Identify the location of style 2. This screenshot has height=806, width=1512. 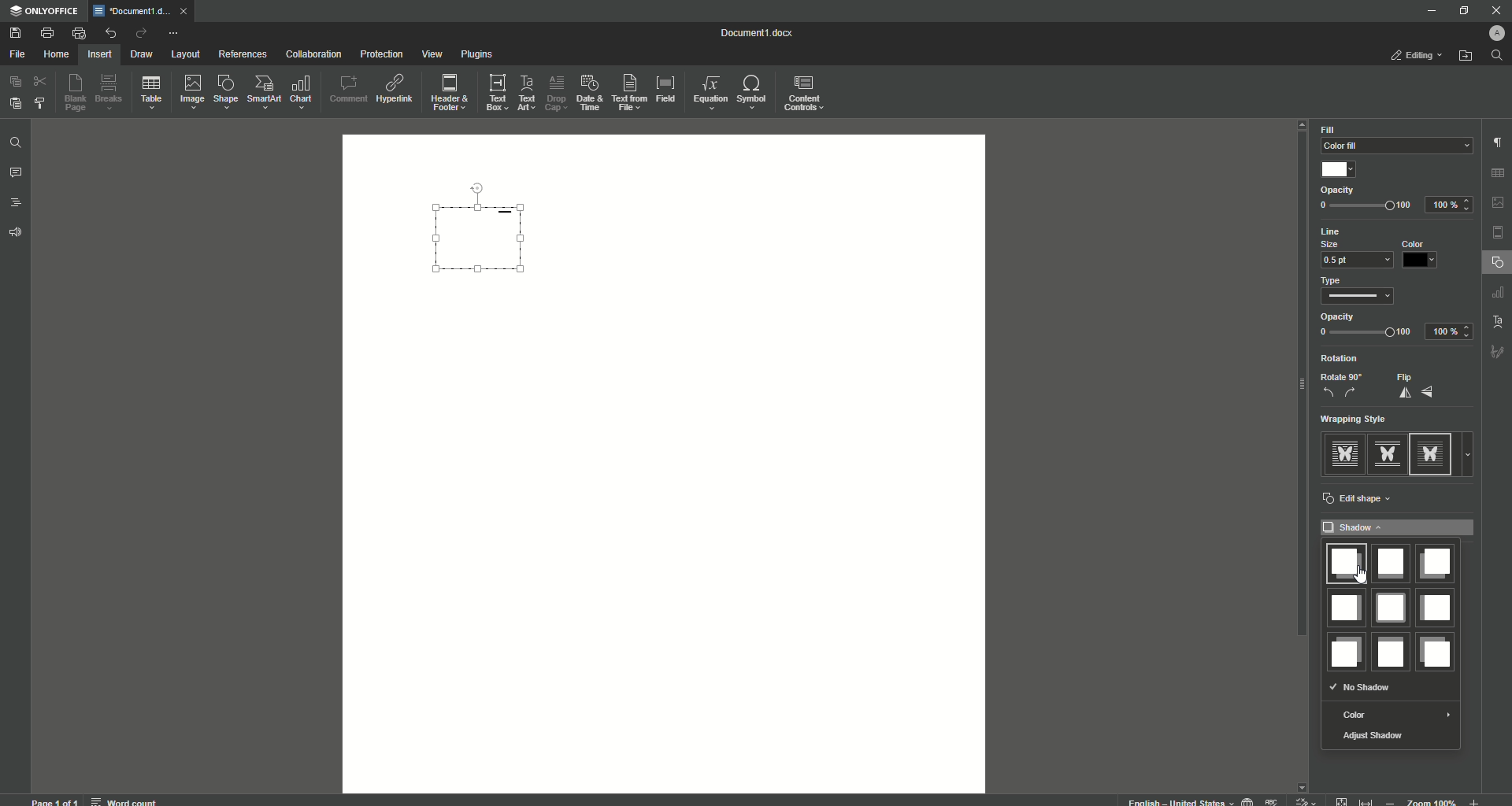
(1386, 453).